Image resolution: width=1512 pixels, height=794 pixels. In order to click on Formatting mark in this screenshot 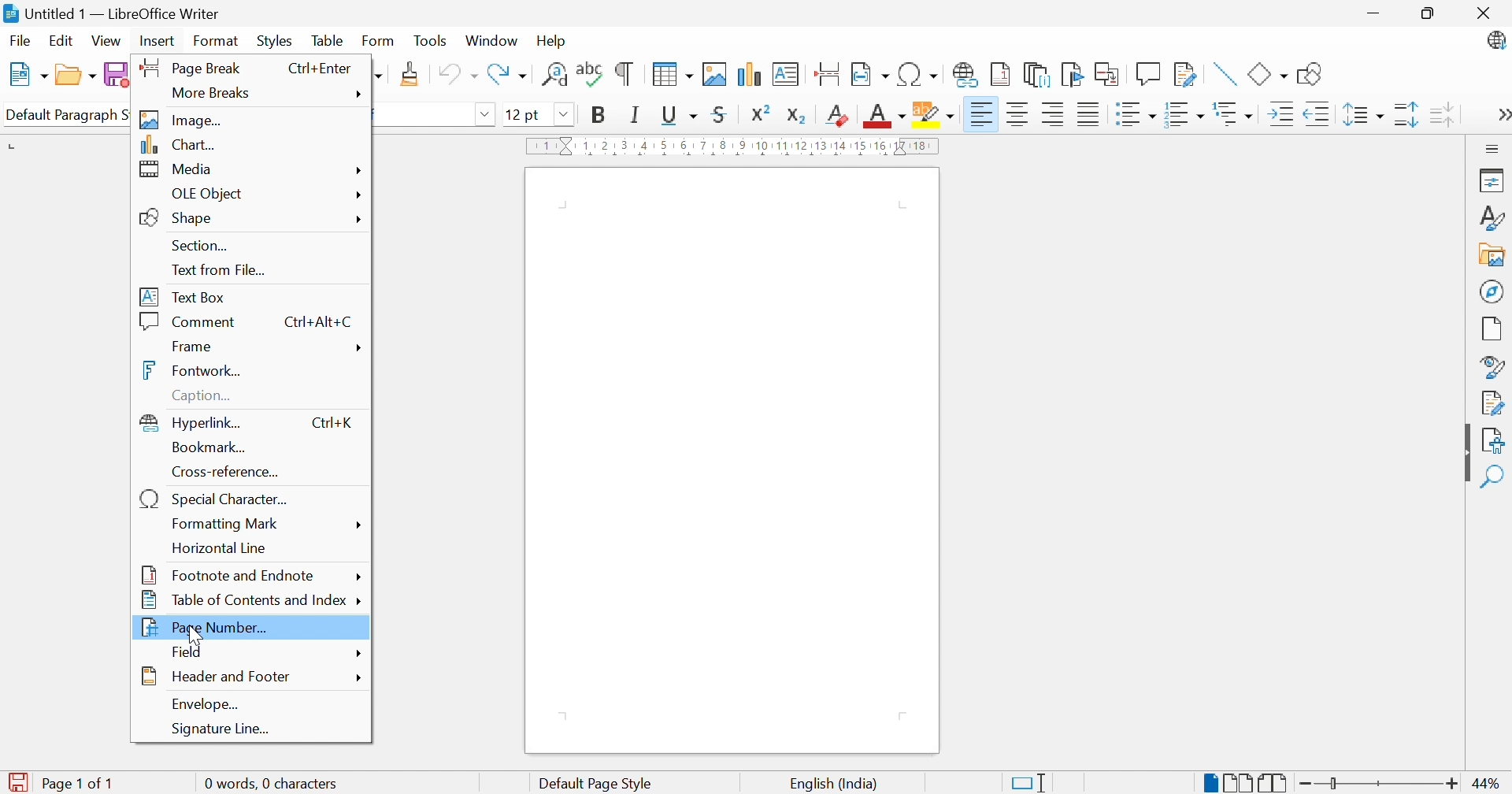, I will do `click(228, 525)`.